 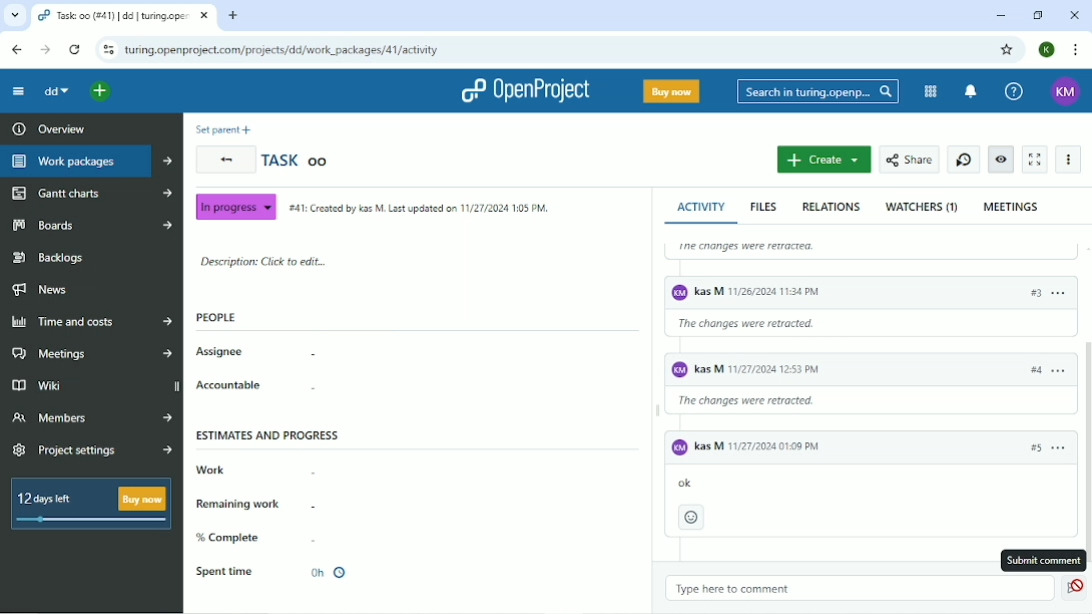 I want to click on Reload this page, so click(x=76, y=50).